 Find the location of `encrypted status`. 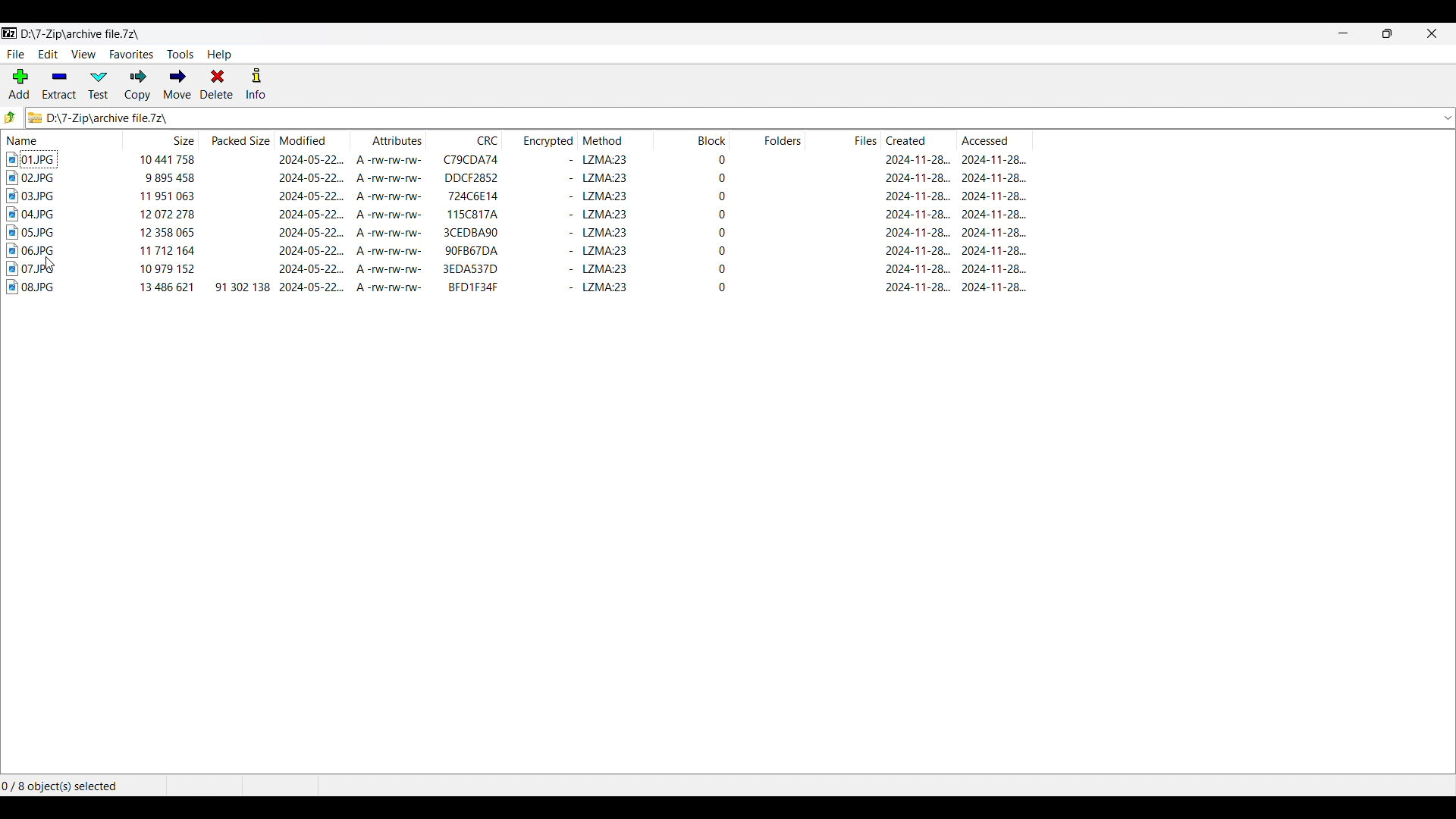

encrypted status is located at coordinates (568, 233).